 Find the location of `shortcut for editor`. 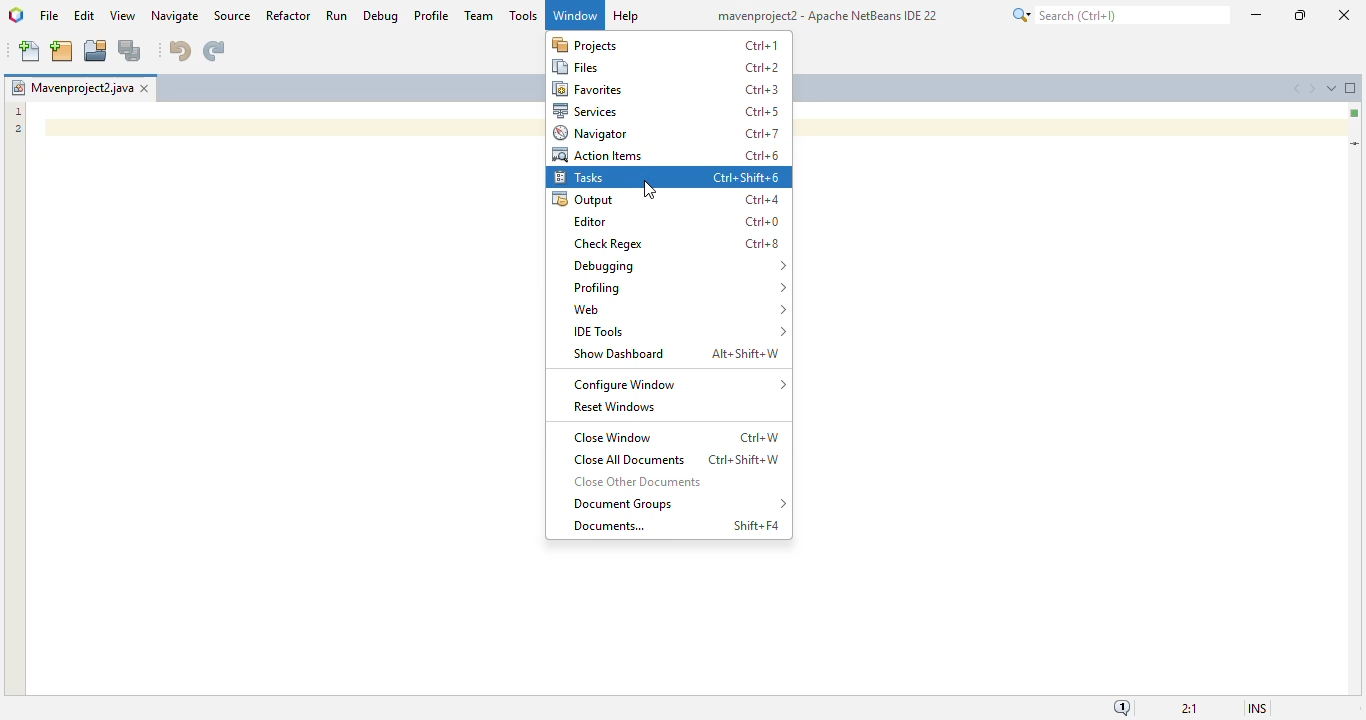

shortcut for editor is located at coordinates (762, 222).